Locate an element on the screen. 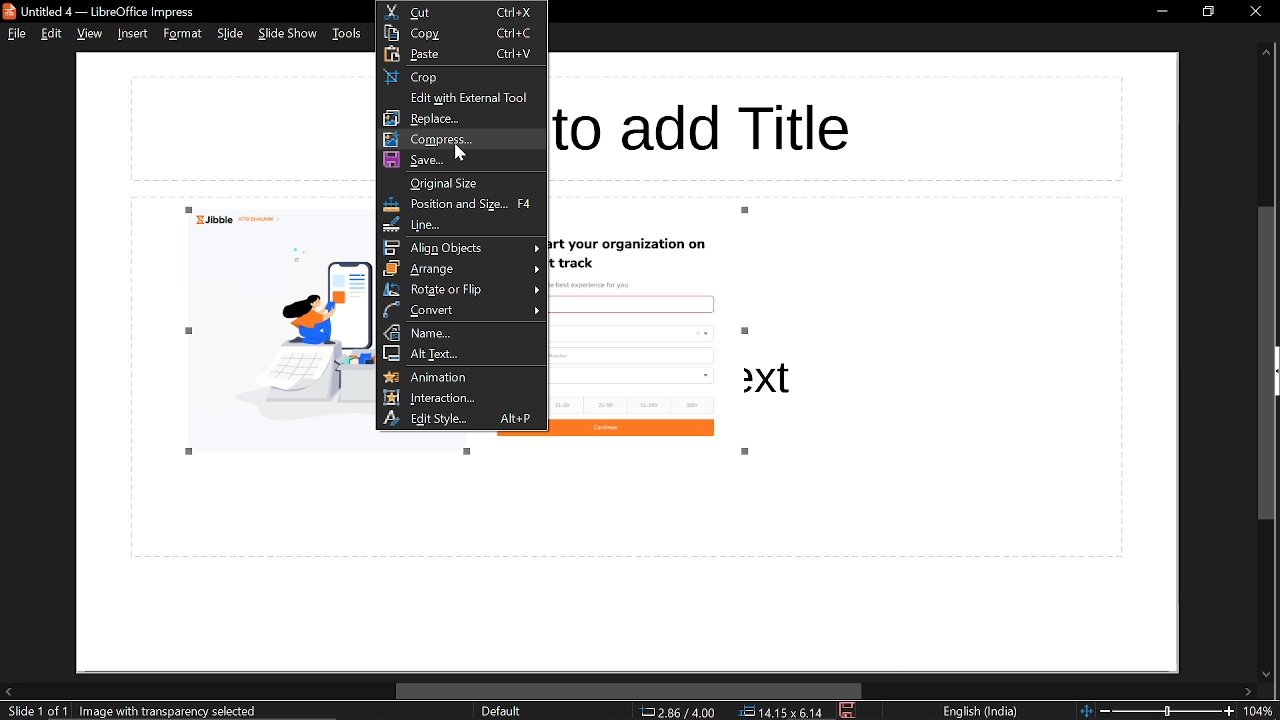 Image resolution: width=1280 pixels, height=720 pixels. animation is located at coordinates (464, 376).